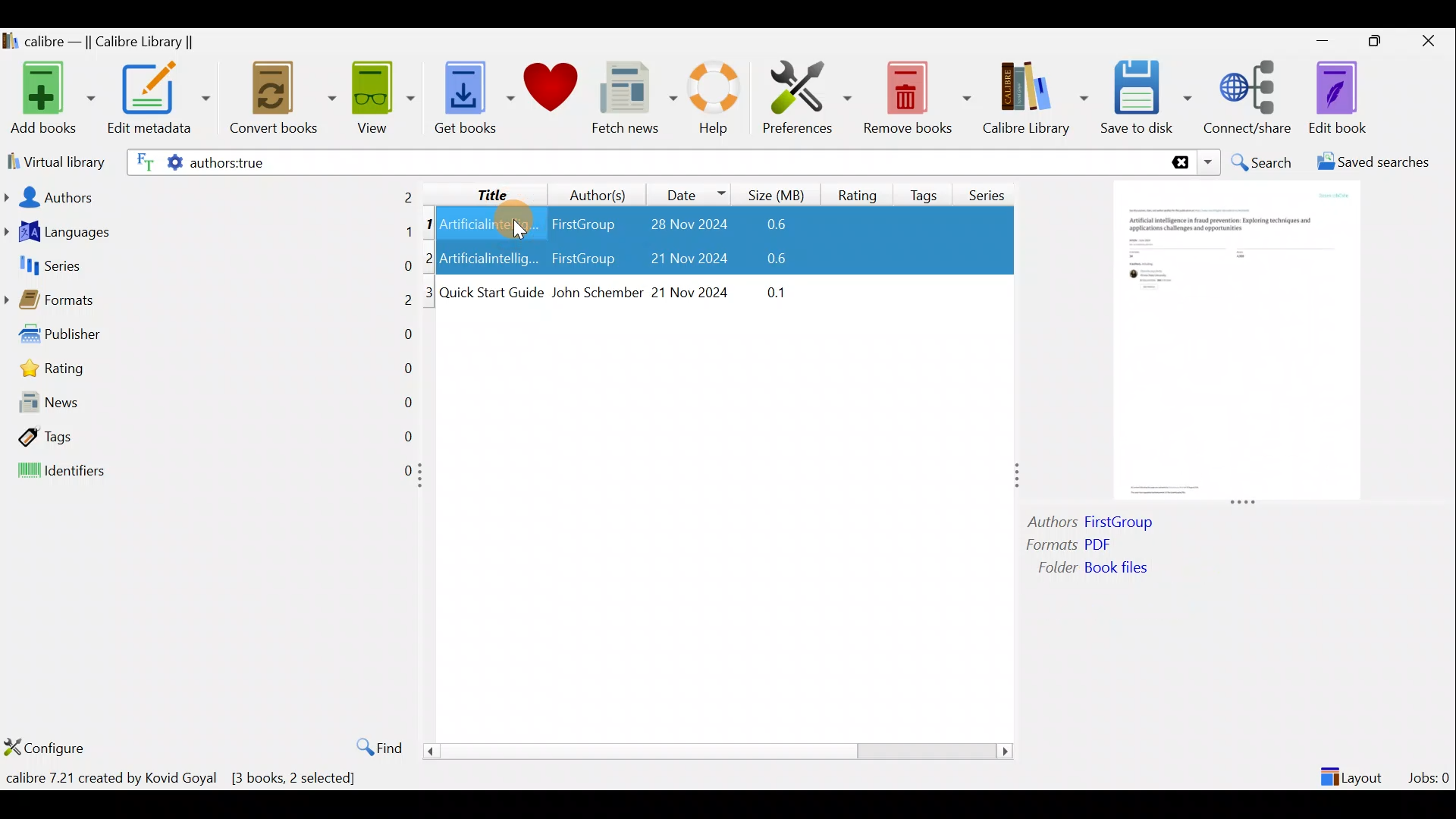 The image size is (1456, 819). Describe the element at coordinates (712, 751) in the screenshot. I see `Scroll bar` at that location.